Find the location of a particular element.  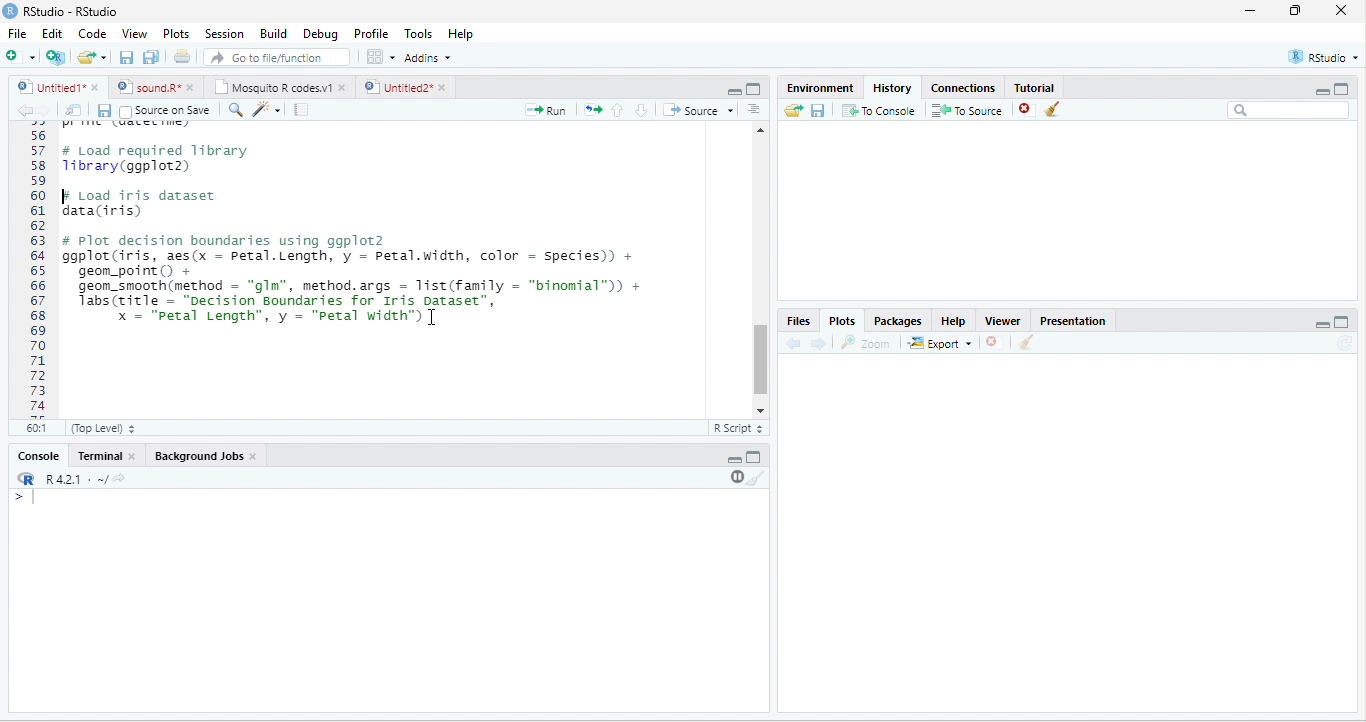

maximize is located at coordinates (754, 89).